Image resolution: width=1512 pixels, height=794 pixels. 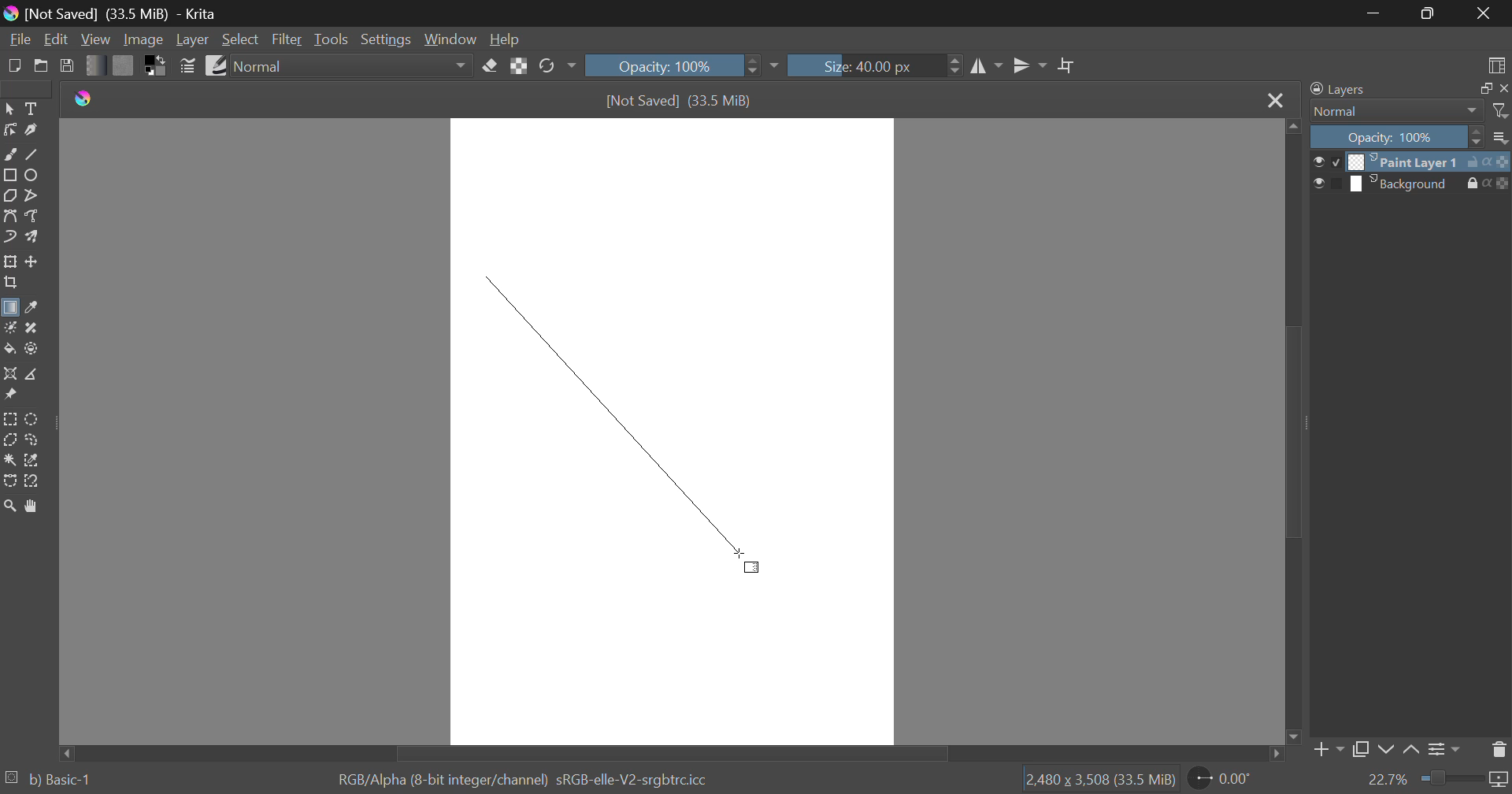 I want to click on Choose Workspace, so click(x=1494, y=62).